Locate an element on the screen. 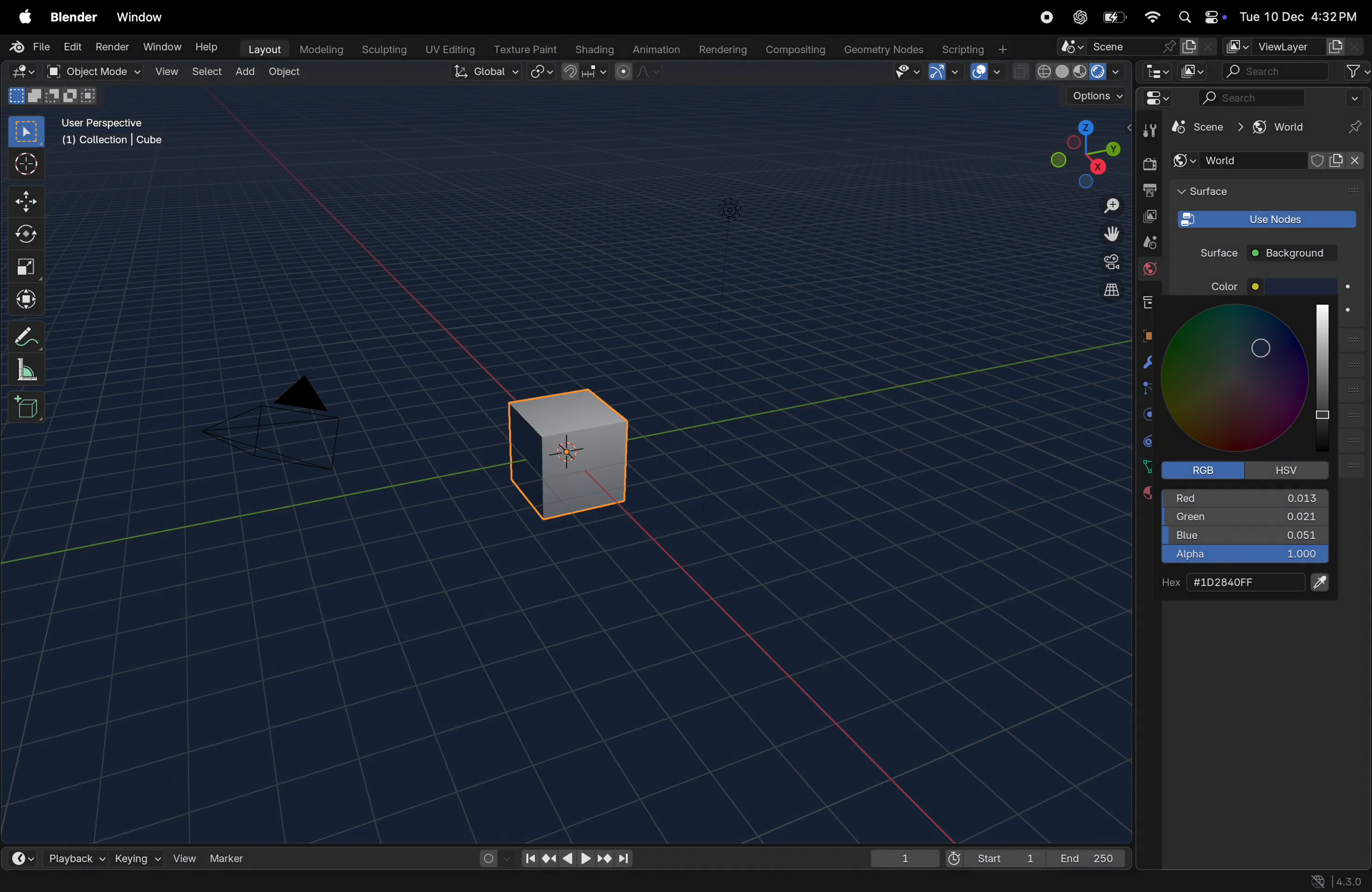 The height and width of the screenshot is (892, 1372). Surface is located at coordinates (1211, 252).